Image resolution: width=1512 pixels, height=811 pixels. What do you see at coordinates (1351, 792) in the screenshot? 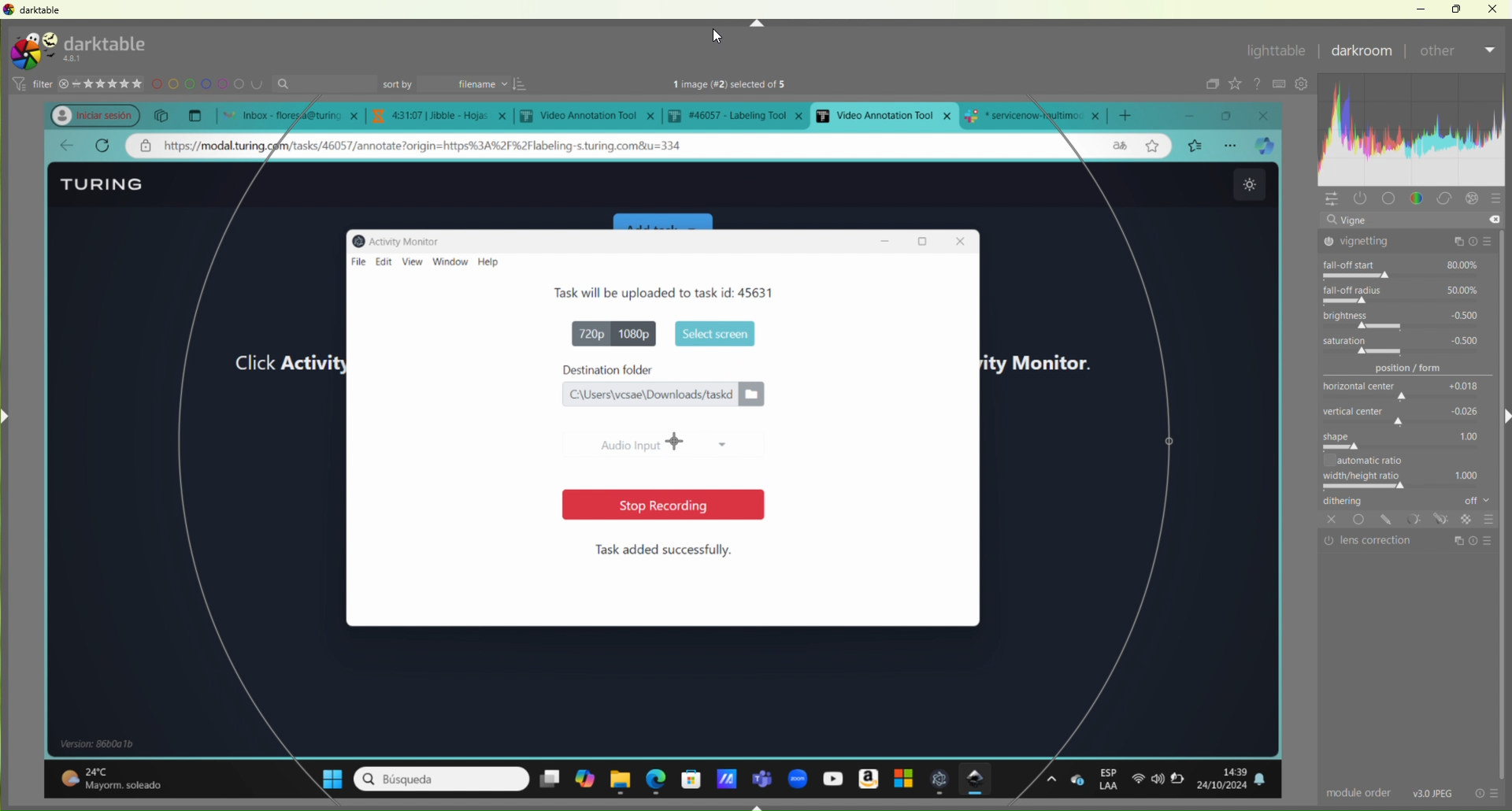
I see `module order` at bounding box center [1351, 792].